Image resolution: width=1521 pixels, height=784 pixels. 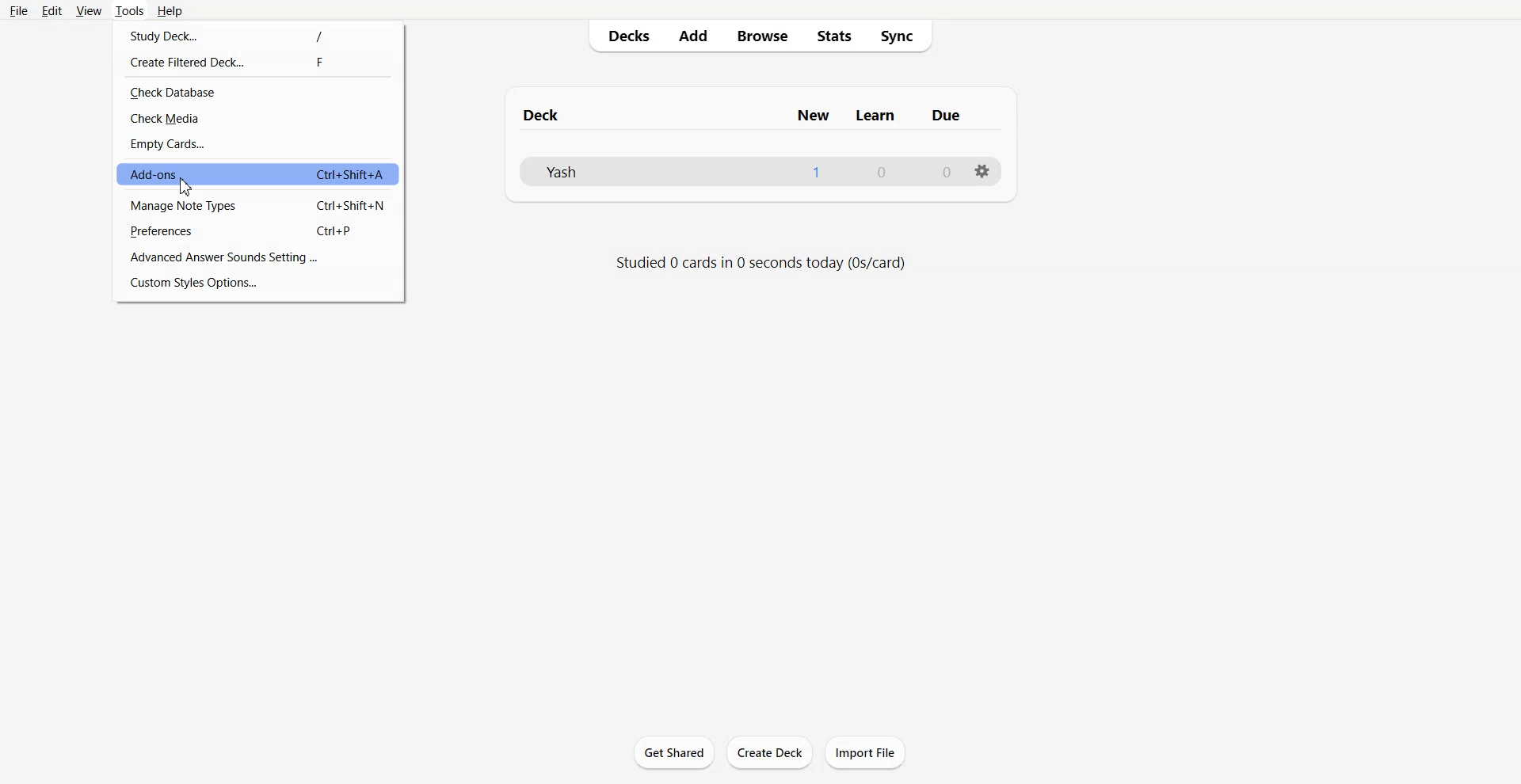 What do you see at coordinates (51, 11) in the screenshot?
I see `Edit` at bounding box center [51, 11].